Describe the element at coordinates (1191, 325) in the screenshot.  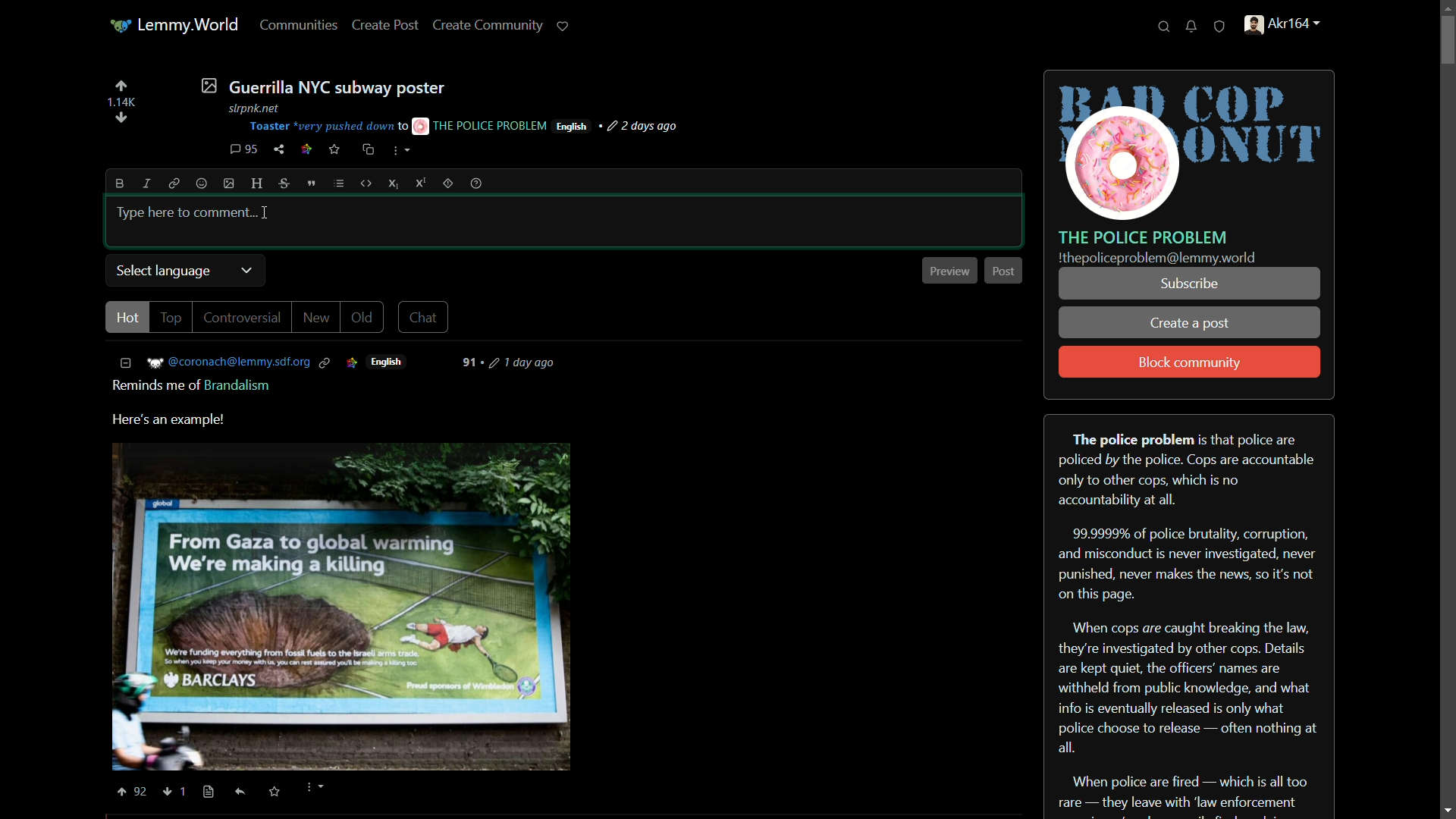
I see `create a post` at that location.